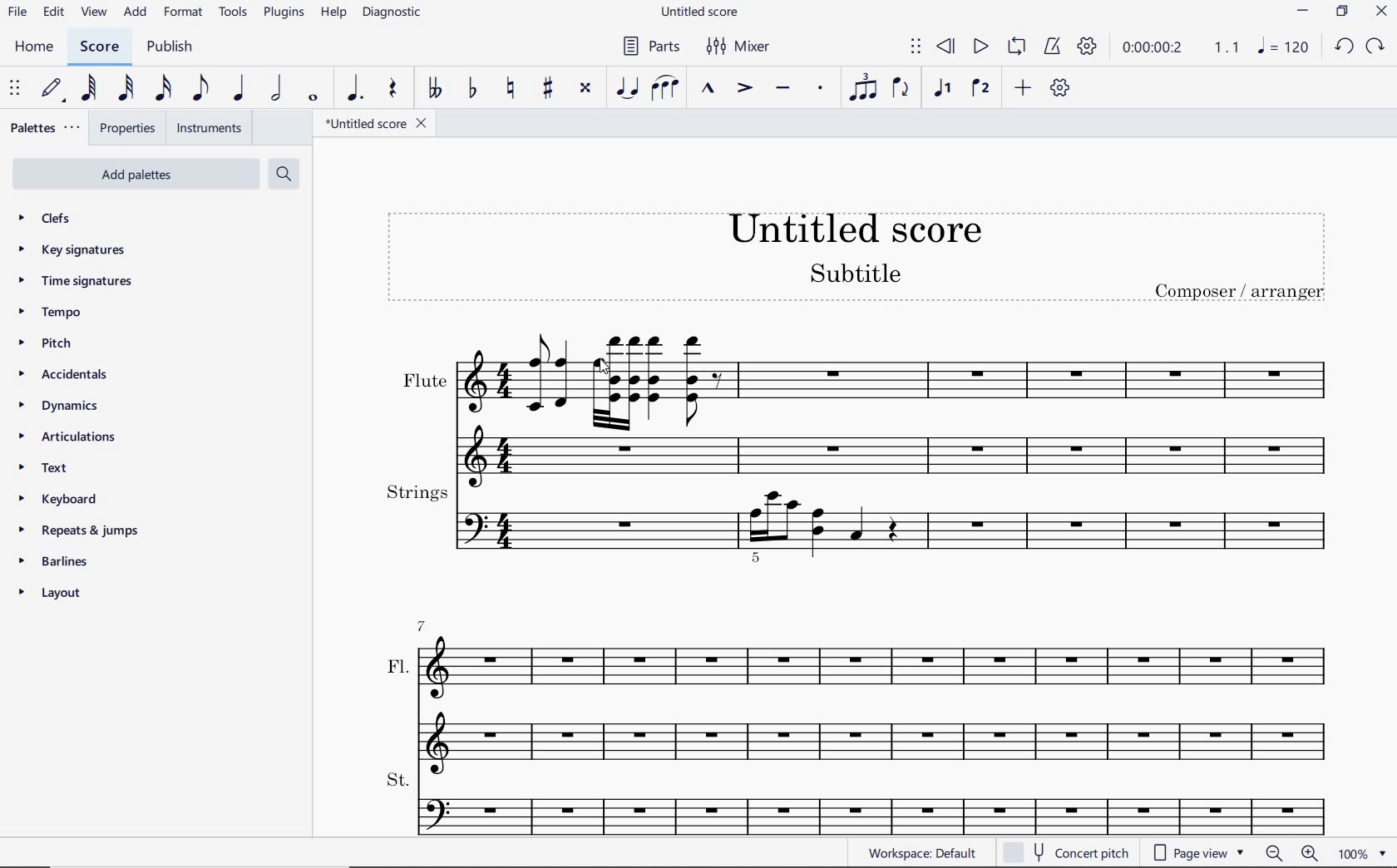  What do you see at coordinates (279, 89) in the screenshot?
I see `HALF NOTE` at bounding box center [279, 89].